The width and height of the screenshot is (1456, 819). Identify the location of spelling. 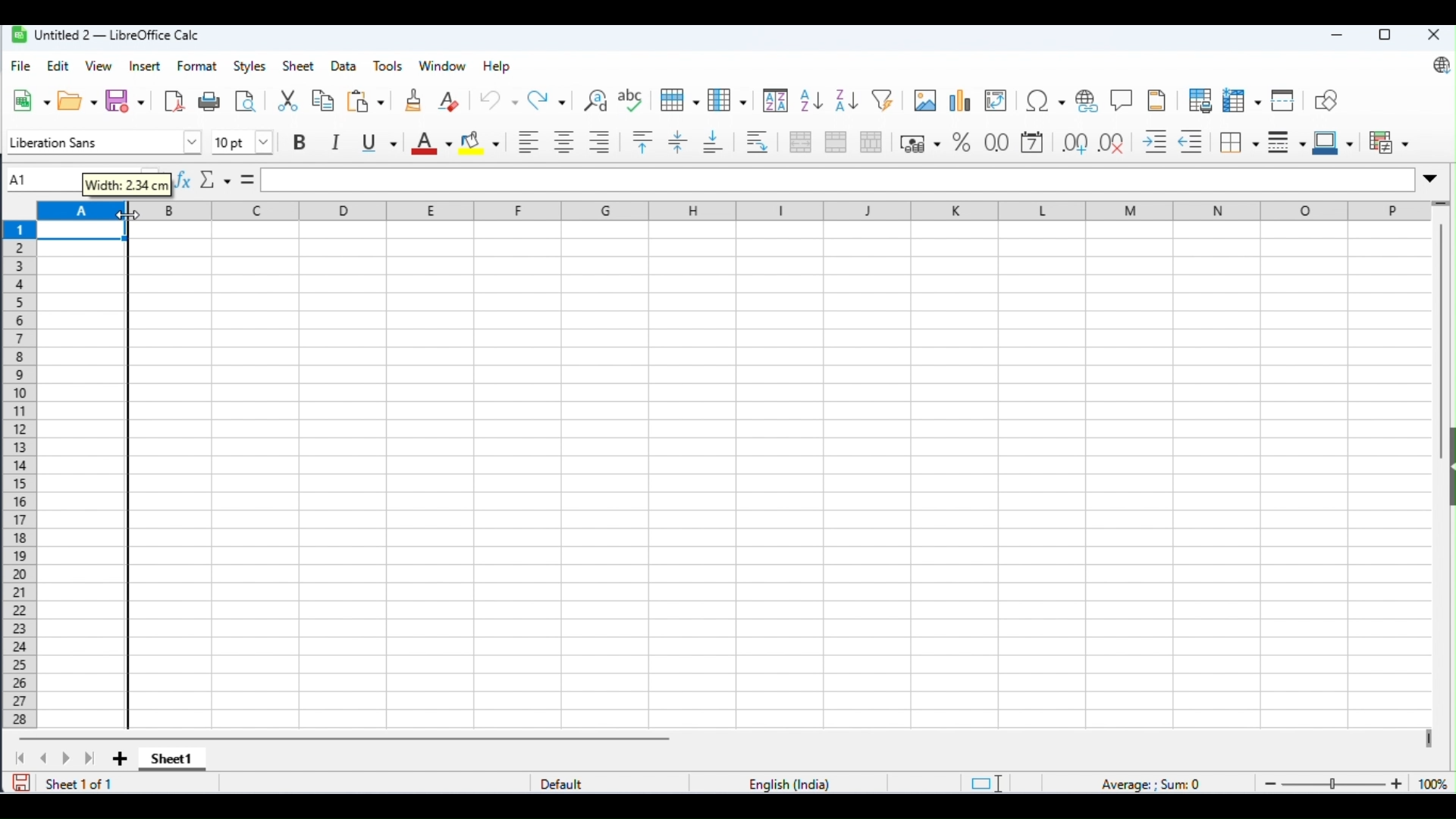
(632, 100).